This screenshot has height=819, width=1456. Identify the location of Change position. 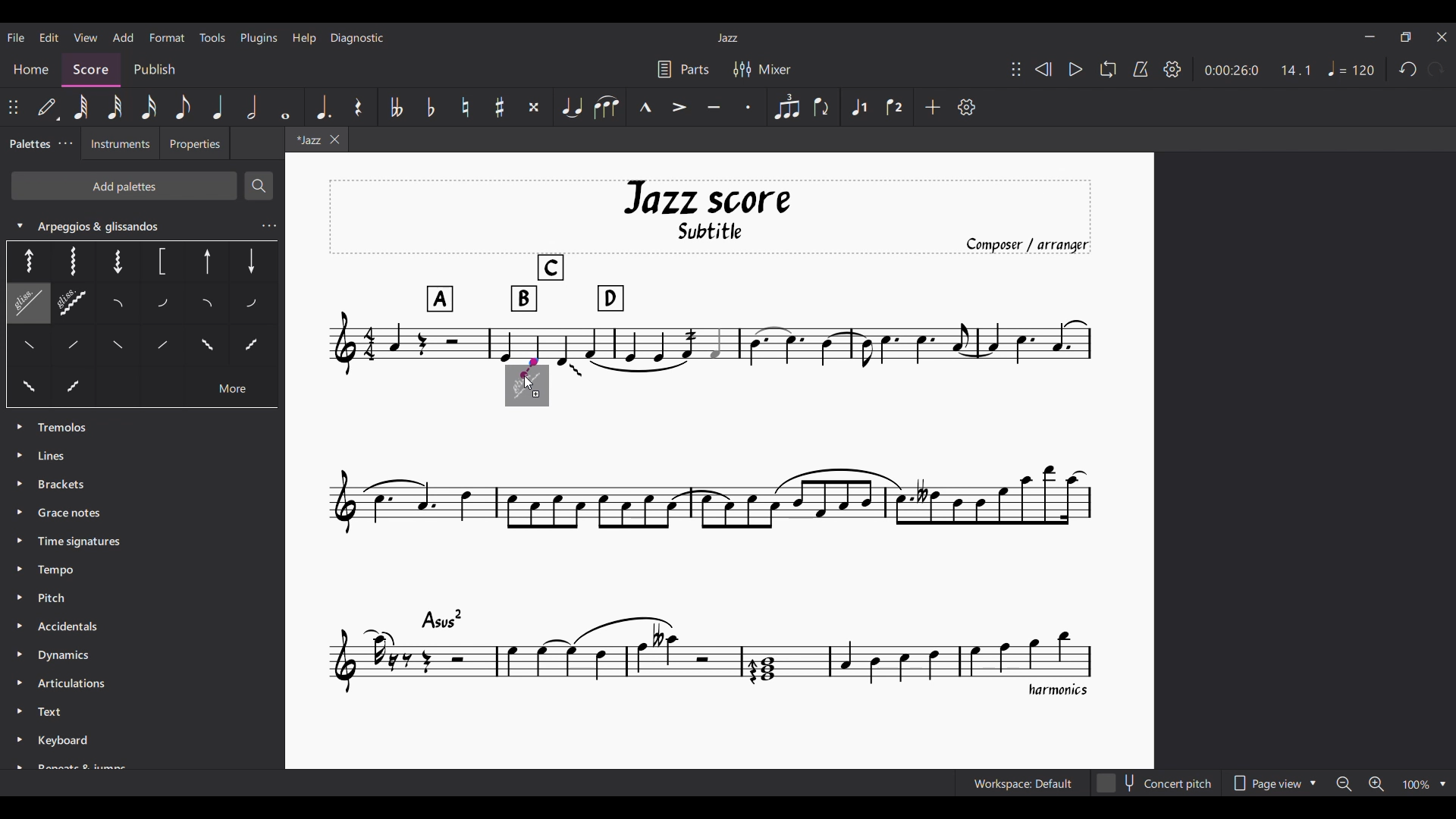
(1016, 69).